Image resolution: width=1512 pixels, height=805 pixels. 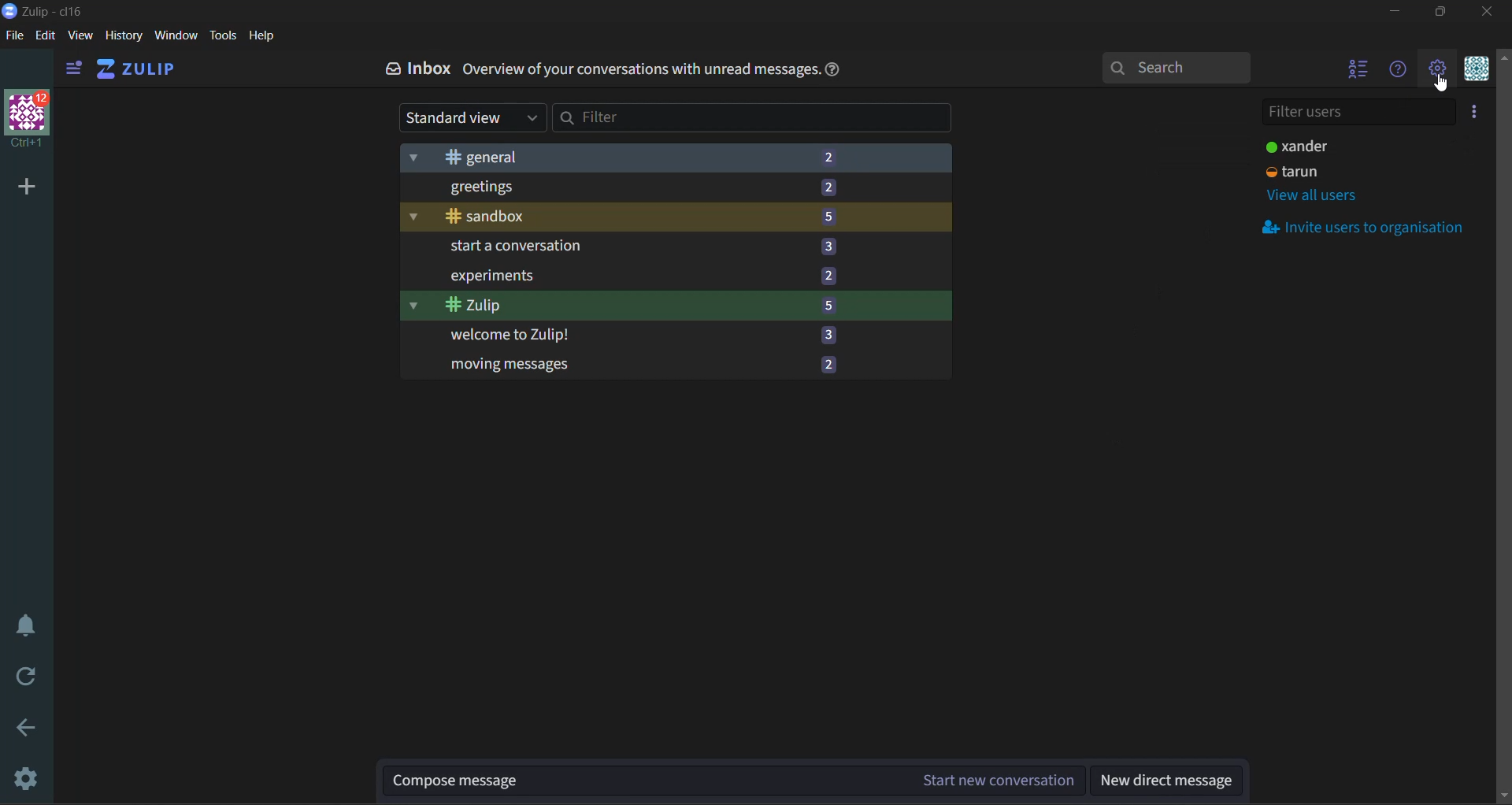 I want to click on new direct message, so click(x=1168, y=781).